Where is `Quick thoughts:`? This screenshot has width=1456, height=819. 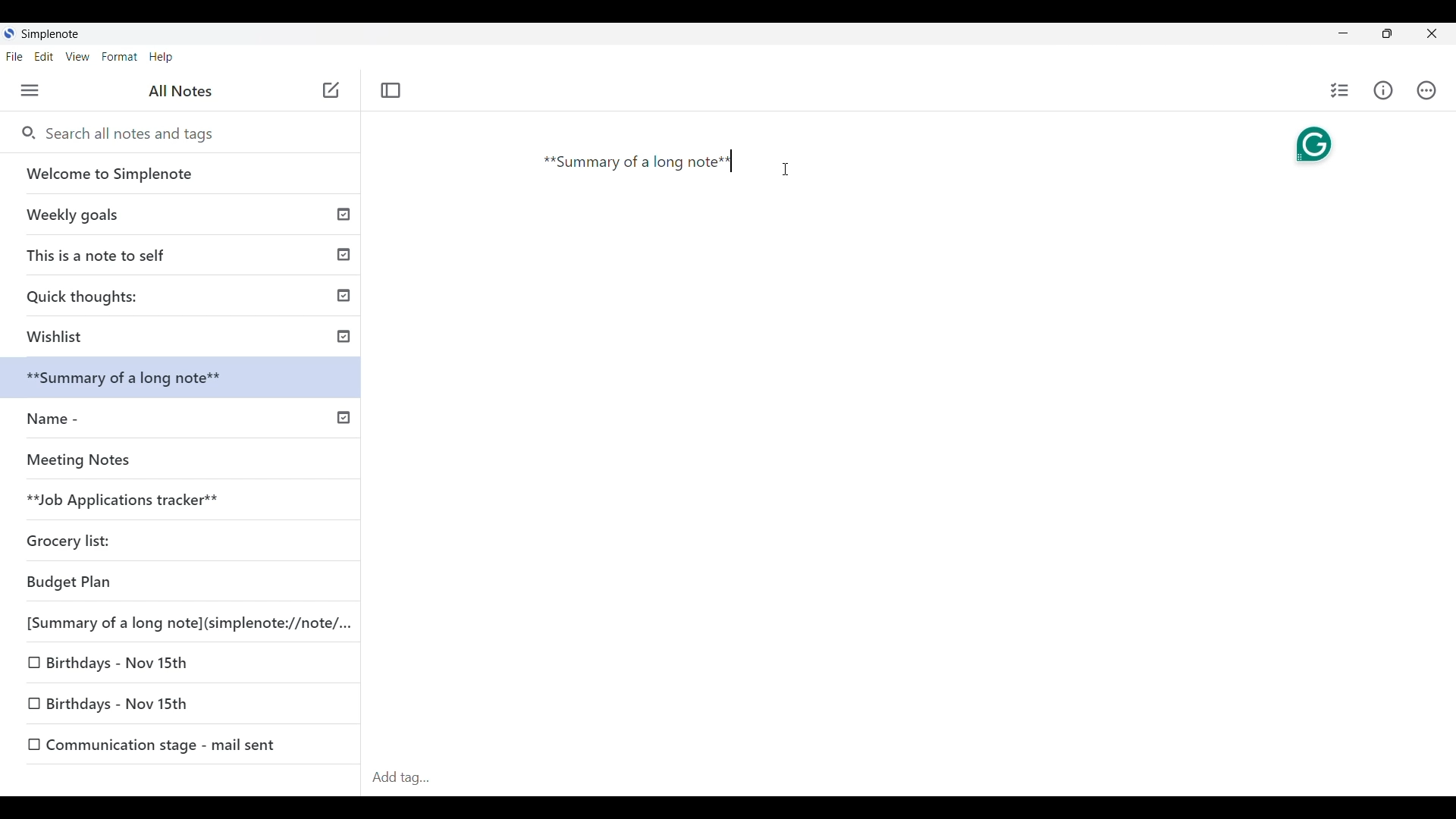 Quick thoughts: is located at coordinates (187, 293).